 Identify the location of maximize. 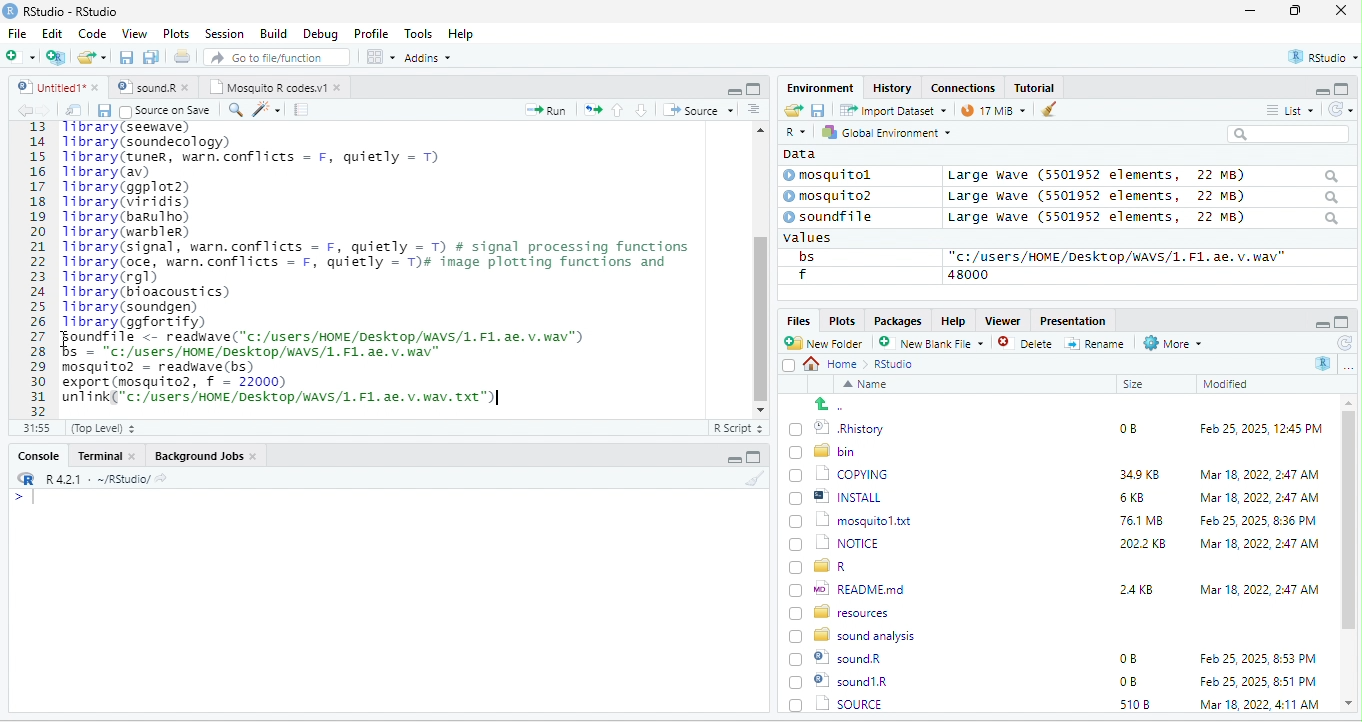
(753, 457).